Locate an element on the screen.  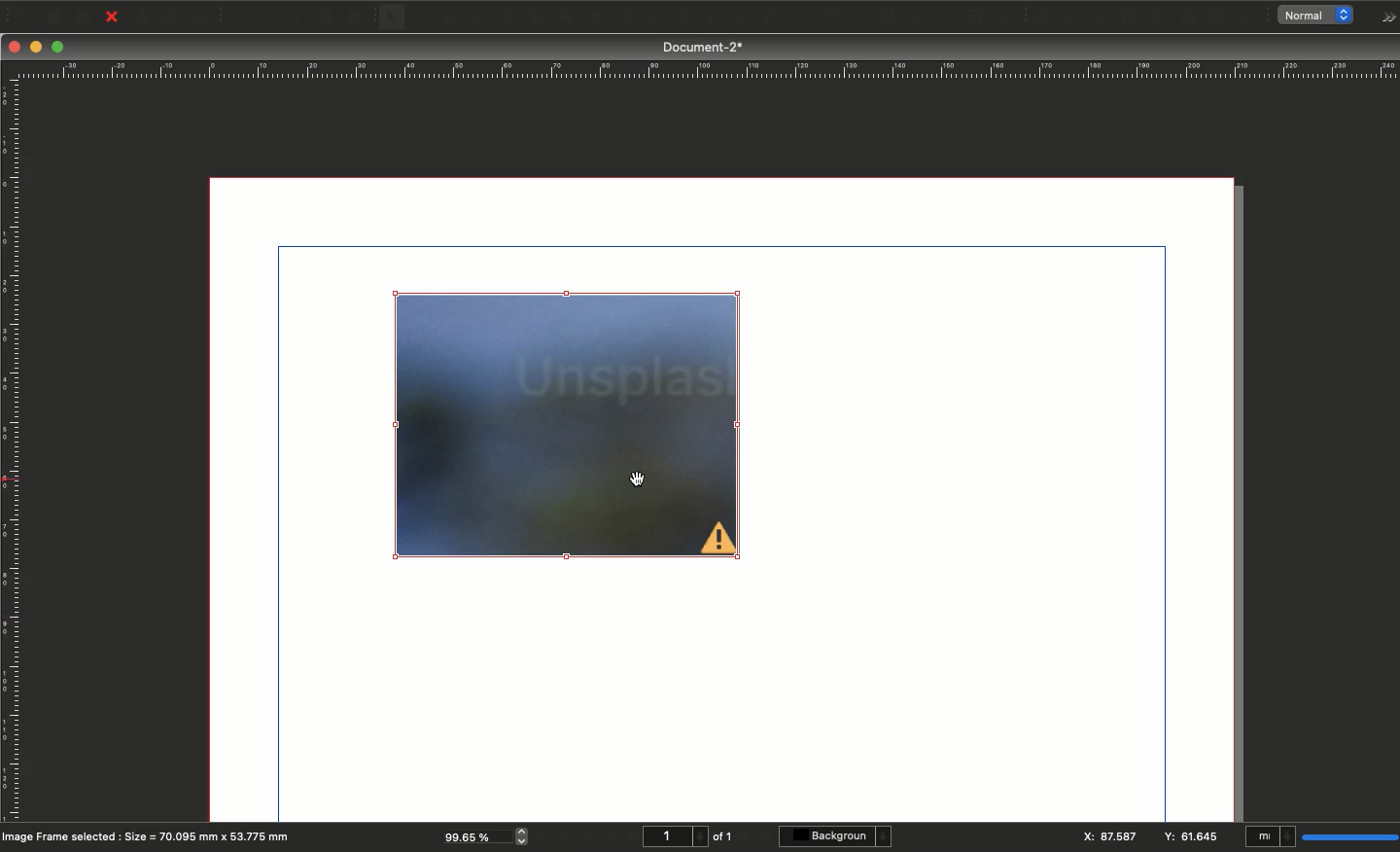
Save is located at coordinates (87, 16).